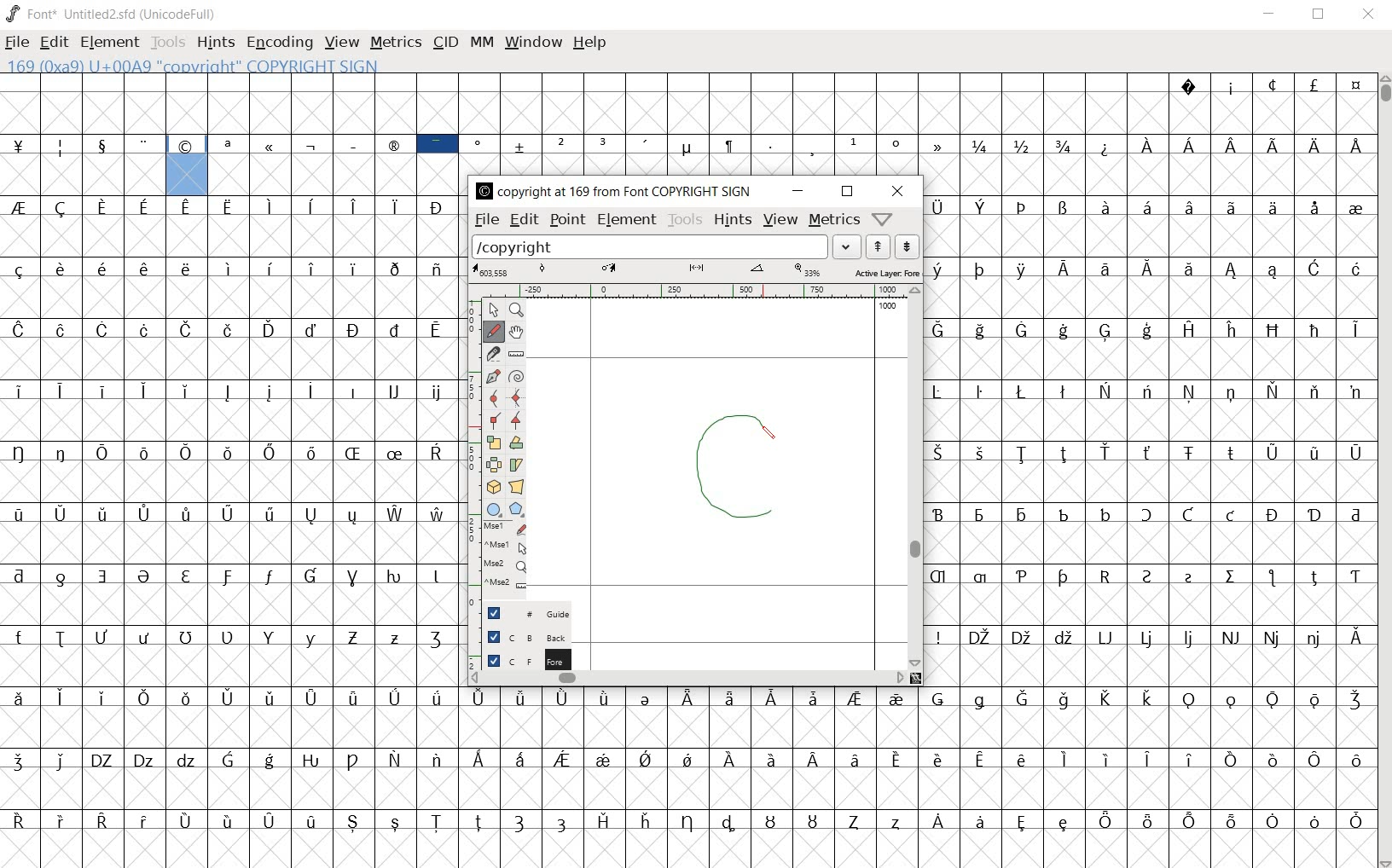  What do you see at coordinates (170, 44) in the screenshot?
I see `tools` at bounding box center [170, 44].